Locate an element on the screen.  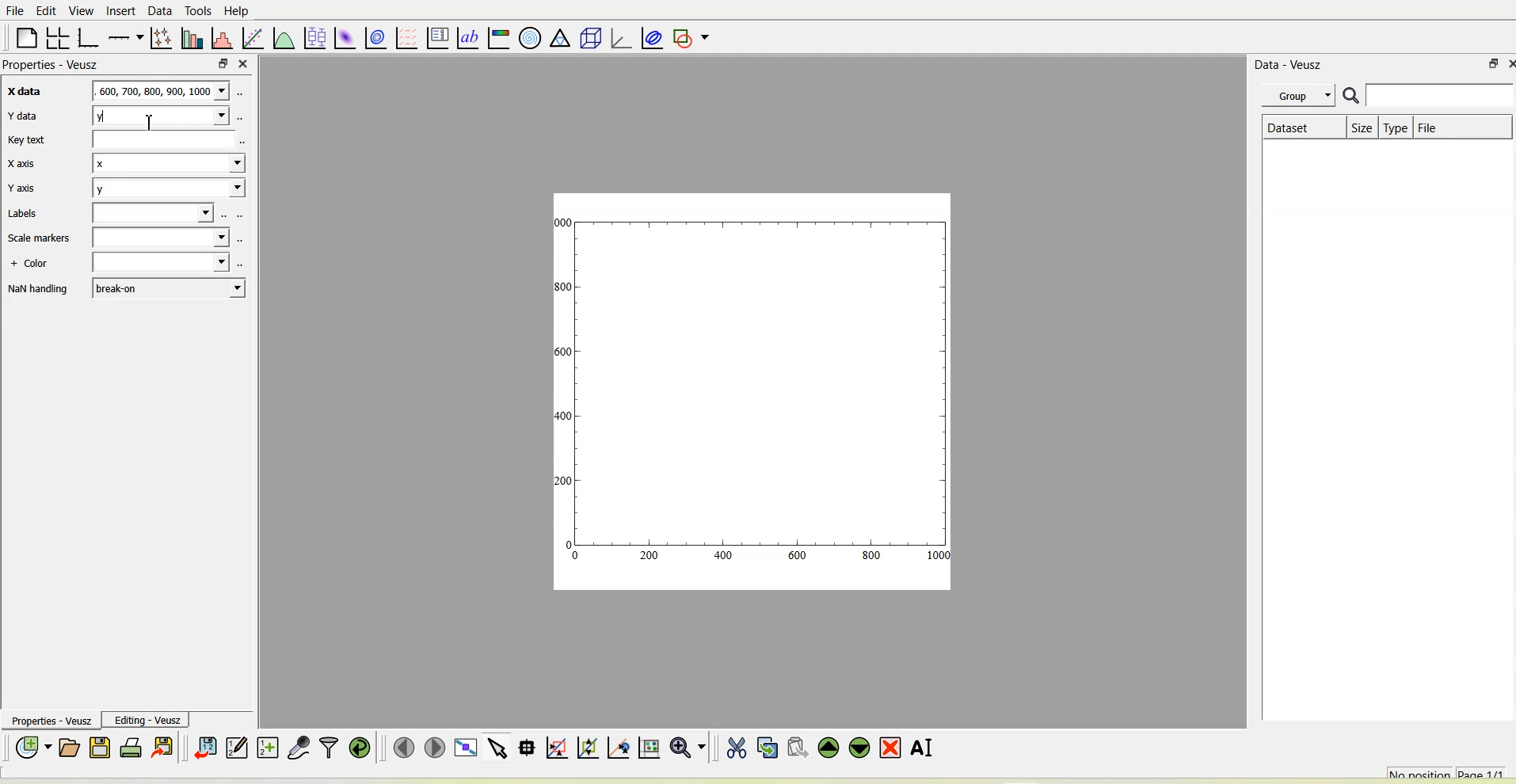
200 is located at coordinates (564, 480).